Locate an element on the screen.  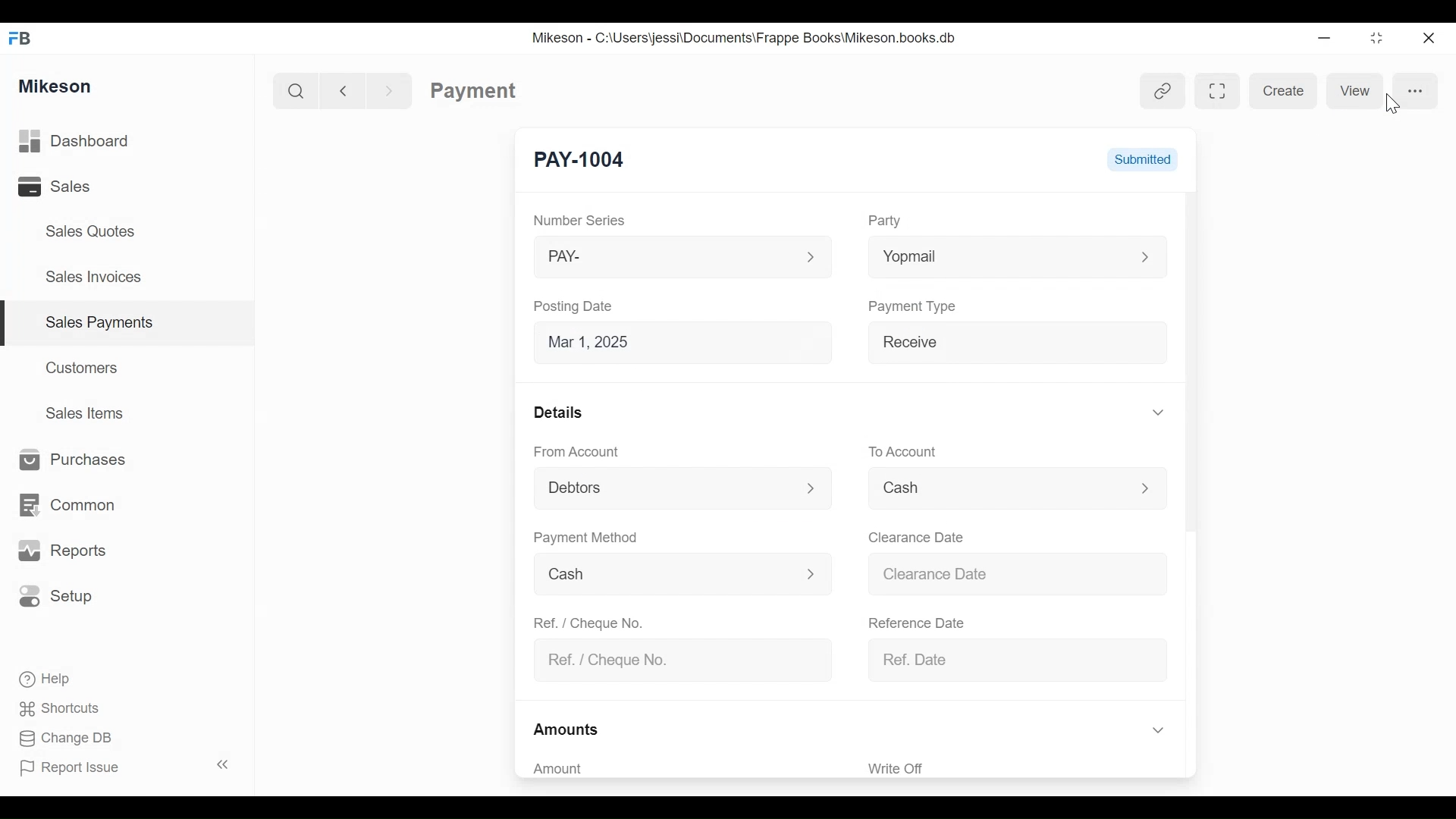
Dashboard is located at coordinates (99, 142).